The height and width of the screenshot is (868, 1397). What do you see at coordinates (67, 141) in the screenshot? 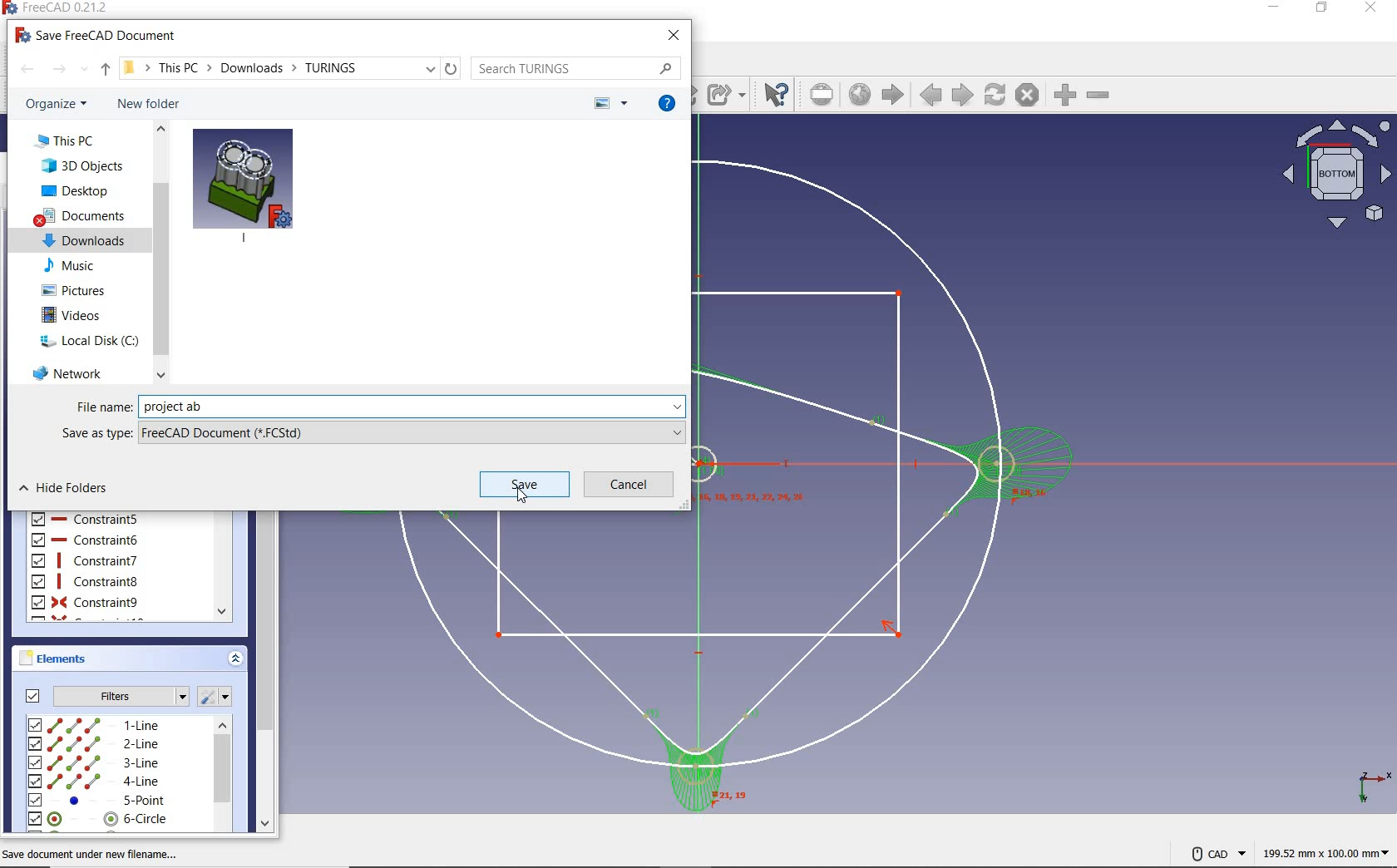
I see `this PC` at bounding box center [67, 141].